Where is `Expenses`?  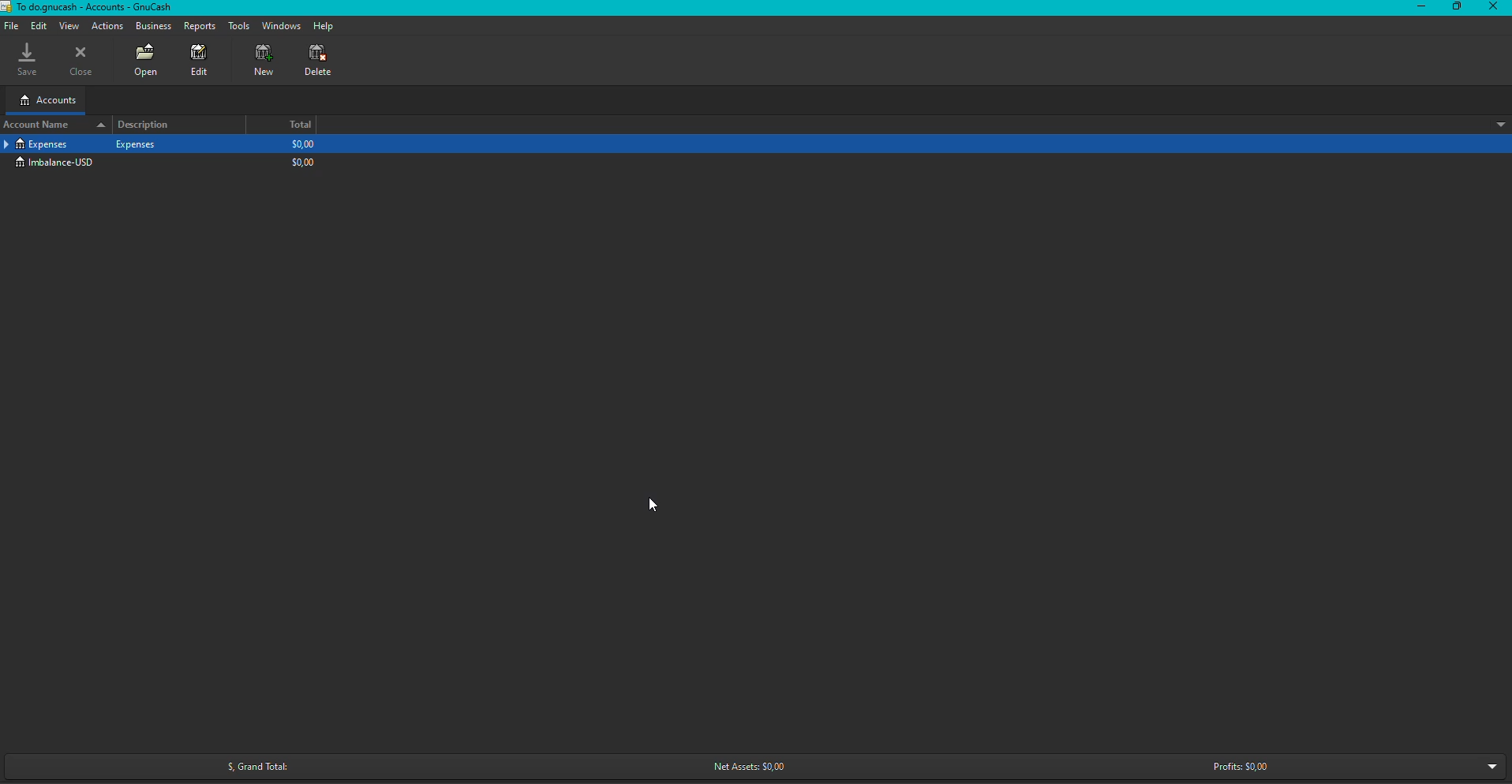
Expenses is located at coordinates (138, 144).